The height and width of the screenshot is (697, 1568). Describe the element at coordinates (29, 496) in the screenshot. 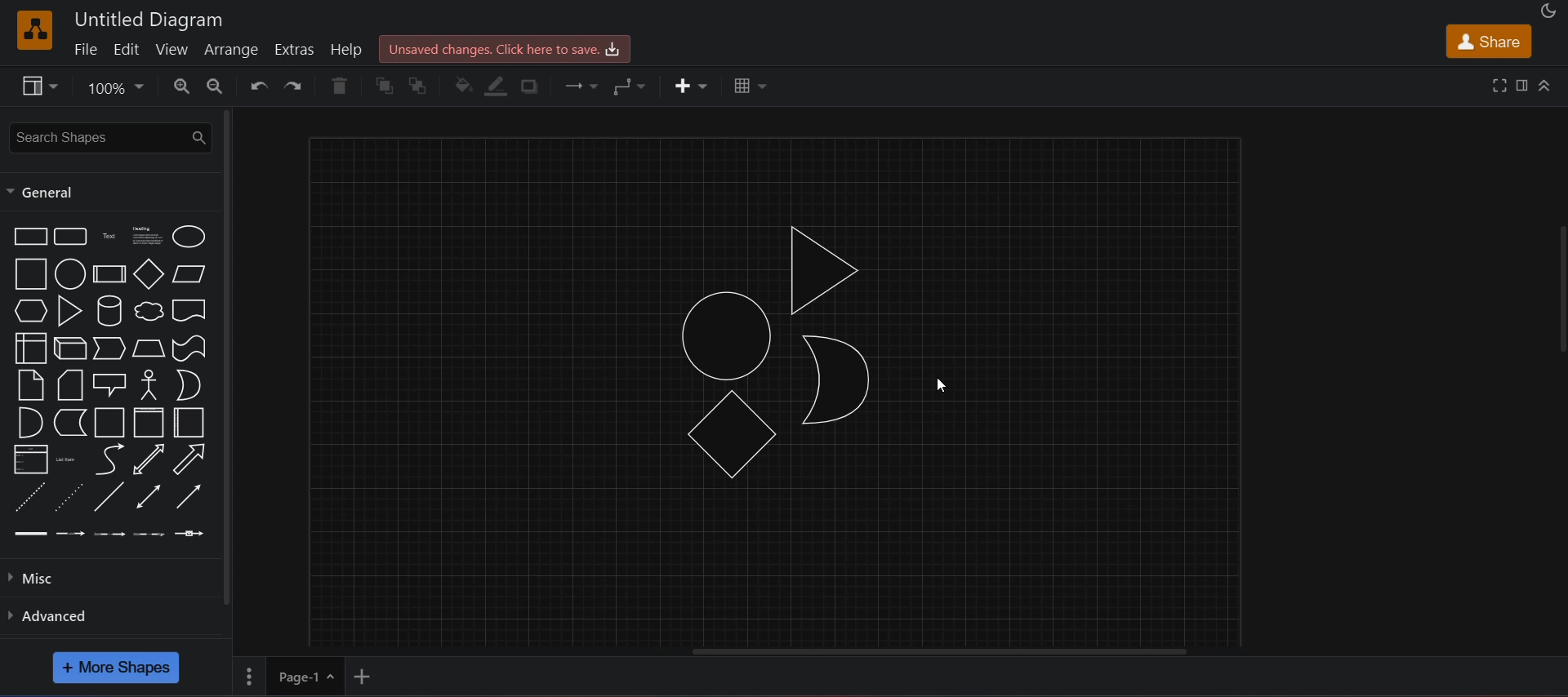

I see `dashed line` at that location.